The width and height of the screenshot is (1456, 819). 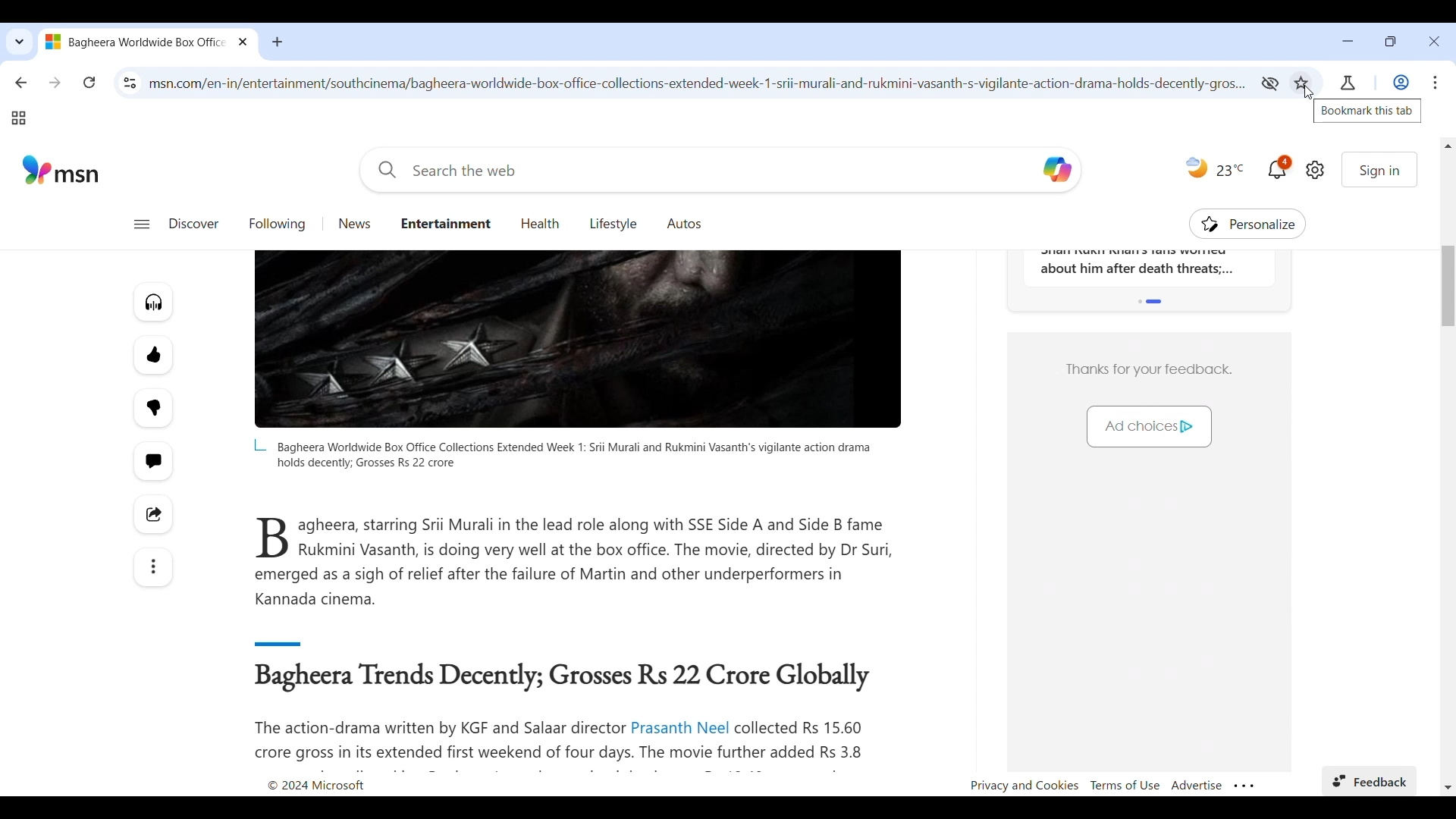 What do you see at coordinates (1197, 167) in the screenshot?
I see `Time of the day` at bounding box center [1197, 167].